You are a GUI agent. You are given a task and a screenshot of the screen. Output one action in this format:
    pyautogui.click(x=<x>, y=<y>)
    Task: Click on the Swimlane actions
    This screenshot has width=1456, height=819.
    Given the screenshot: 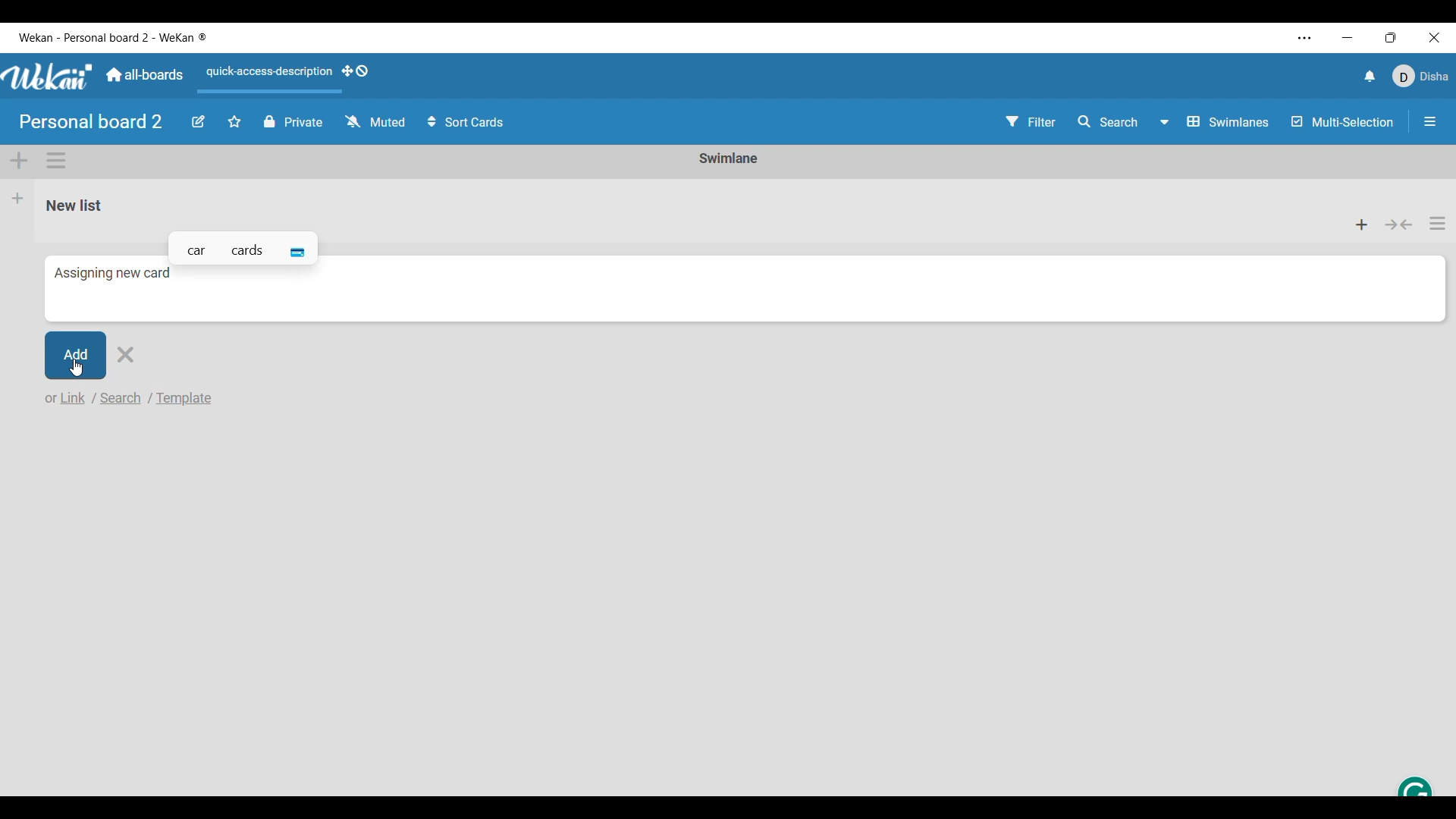 What is the action you would take?
    pyautogui.click(x=56, y=161)
    